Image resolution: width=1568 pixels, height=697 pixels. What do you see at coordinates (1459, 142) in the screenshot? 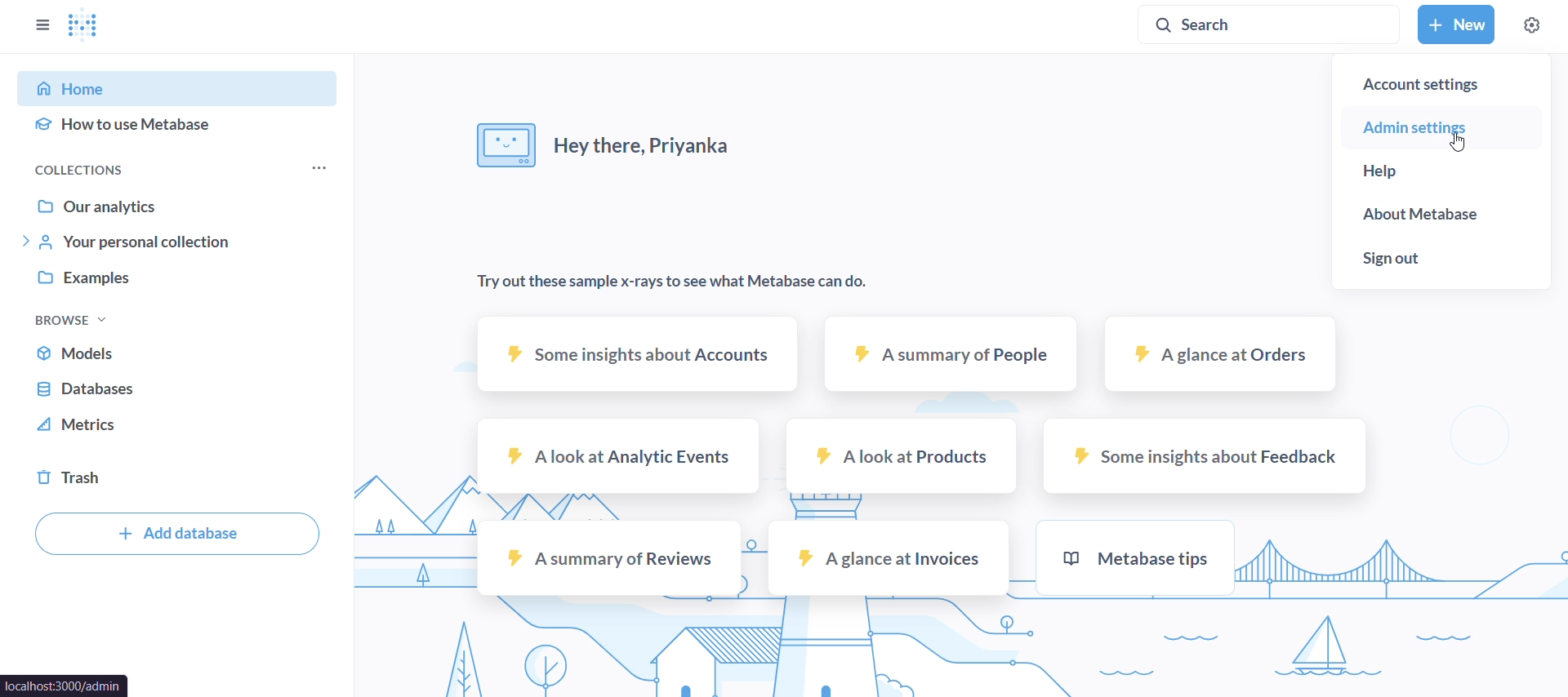
I see `cursor` at bounding box center [1459, 142].